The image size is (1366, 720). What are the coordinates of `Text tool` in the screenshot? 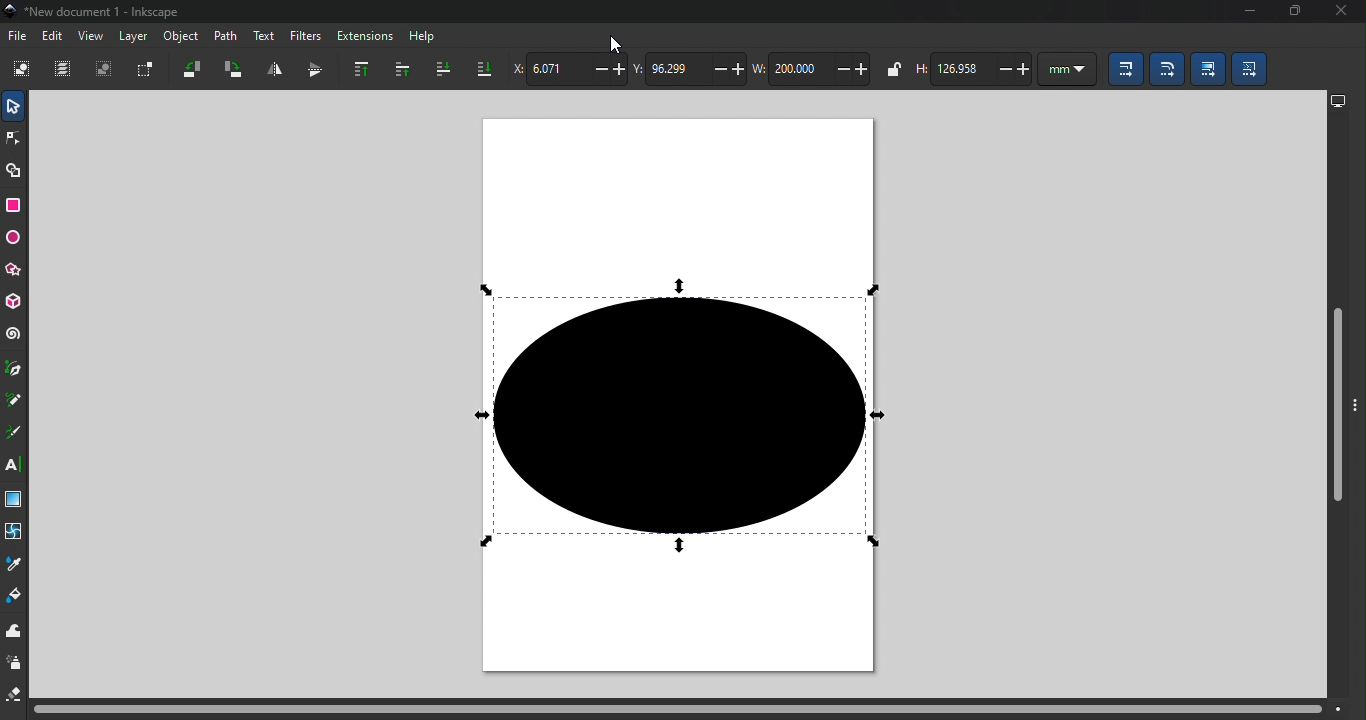 It's located at (15, 467).